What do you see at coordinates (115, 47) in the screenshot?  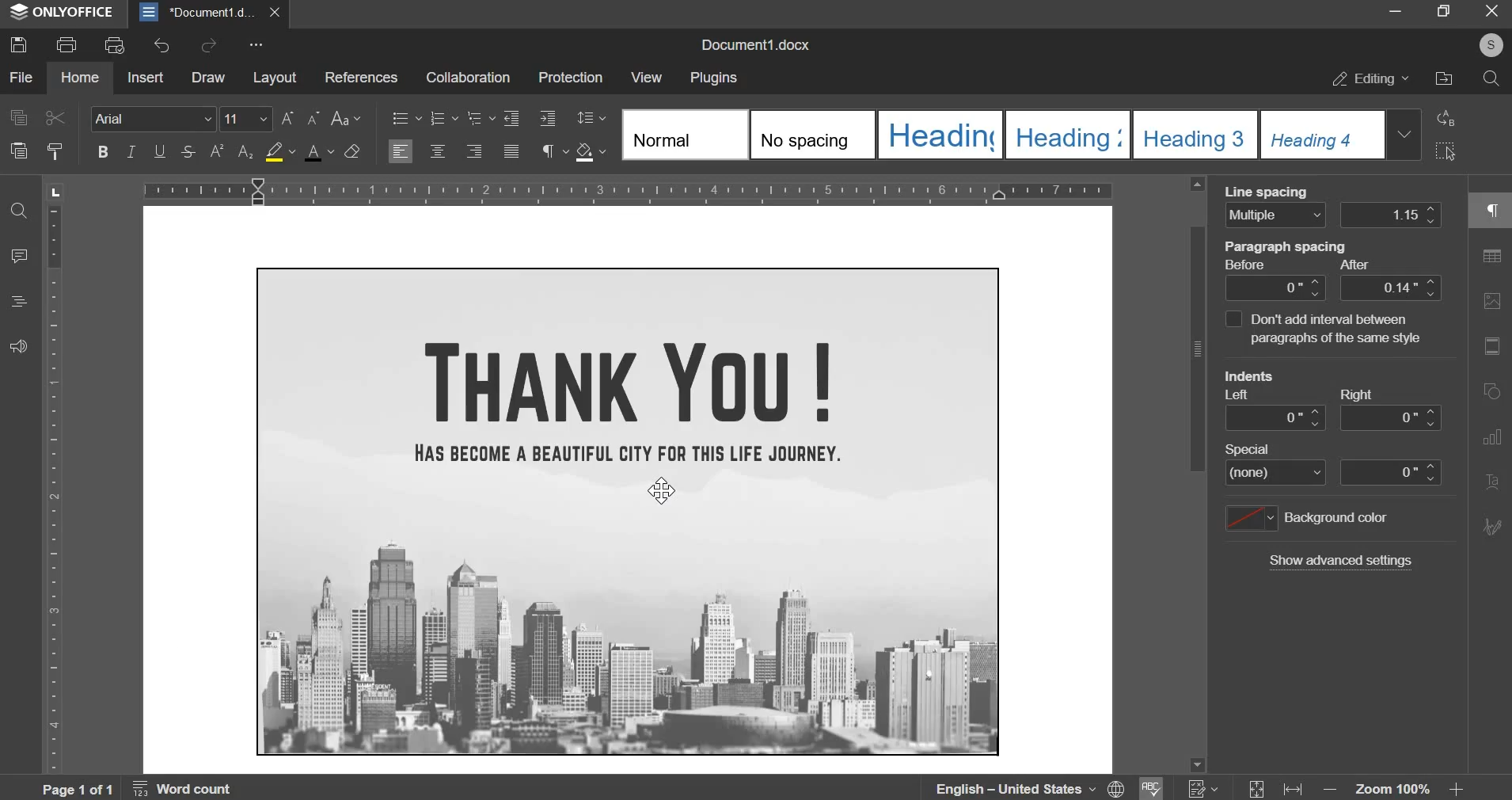 I see `print preview` at bounding box center [115, 47].